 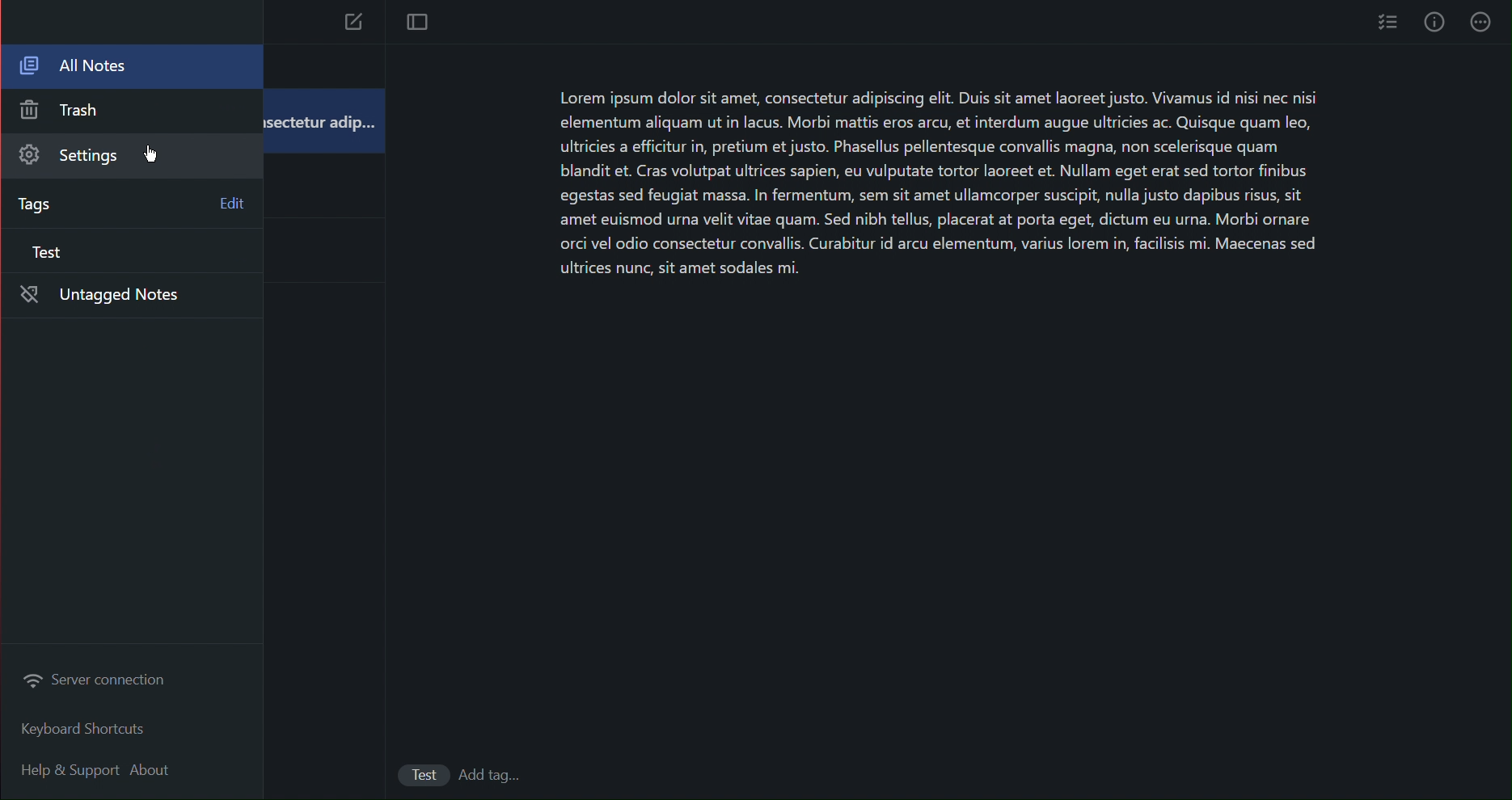 I want to click on Untagged Notes, so click(x=106, y=299).